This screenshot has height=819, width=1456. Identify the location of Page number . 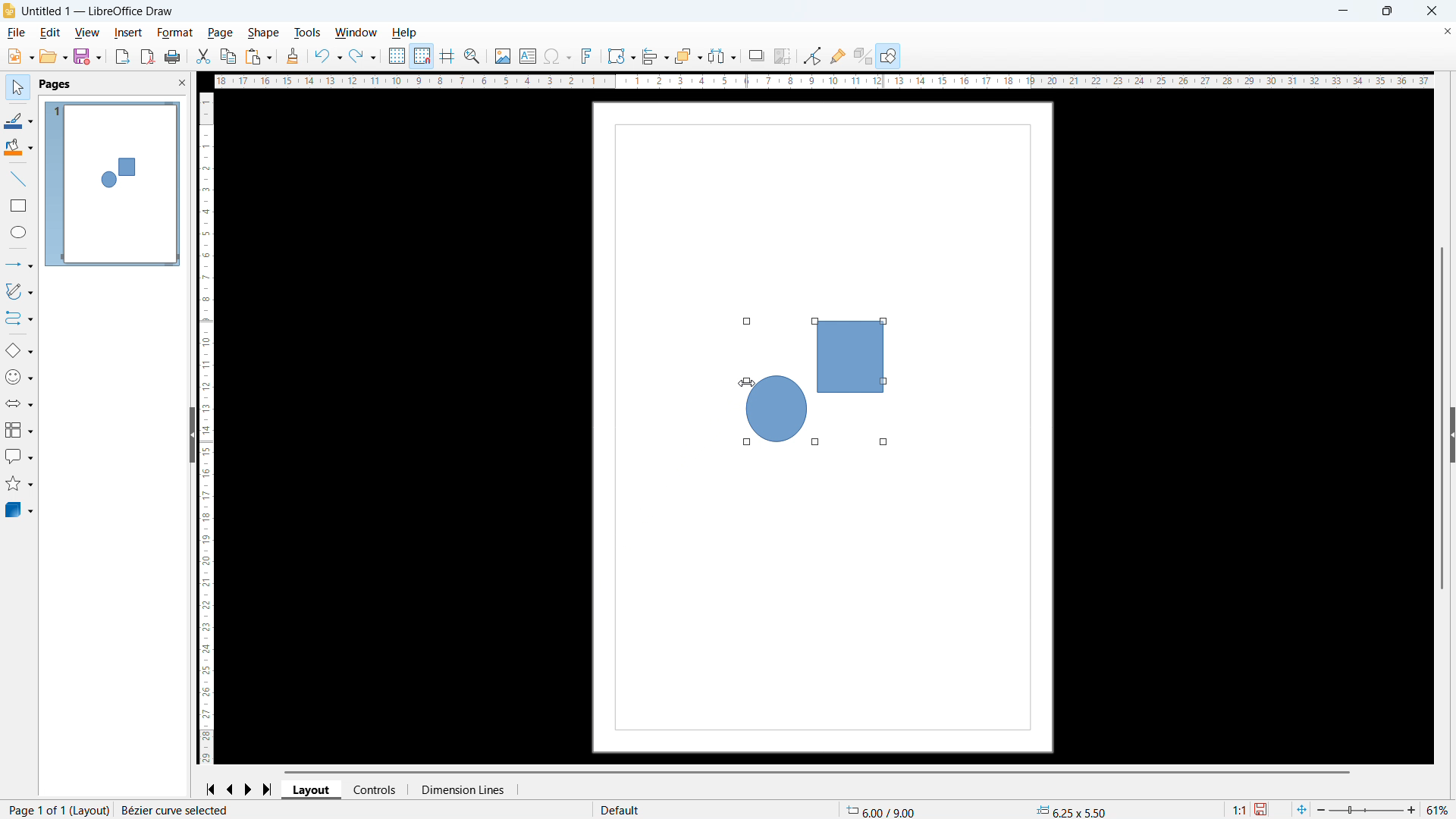
(58, 810).